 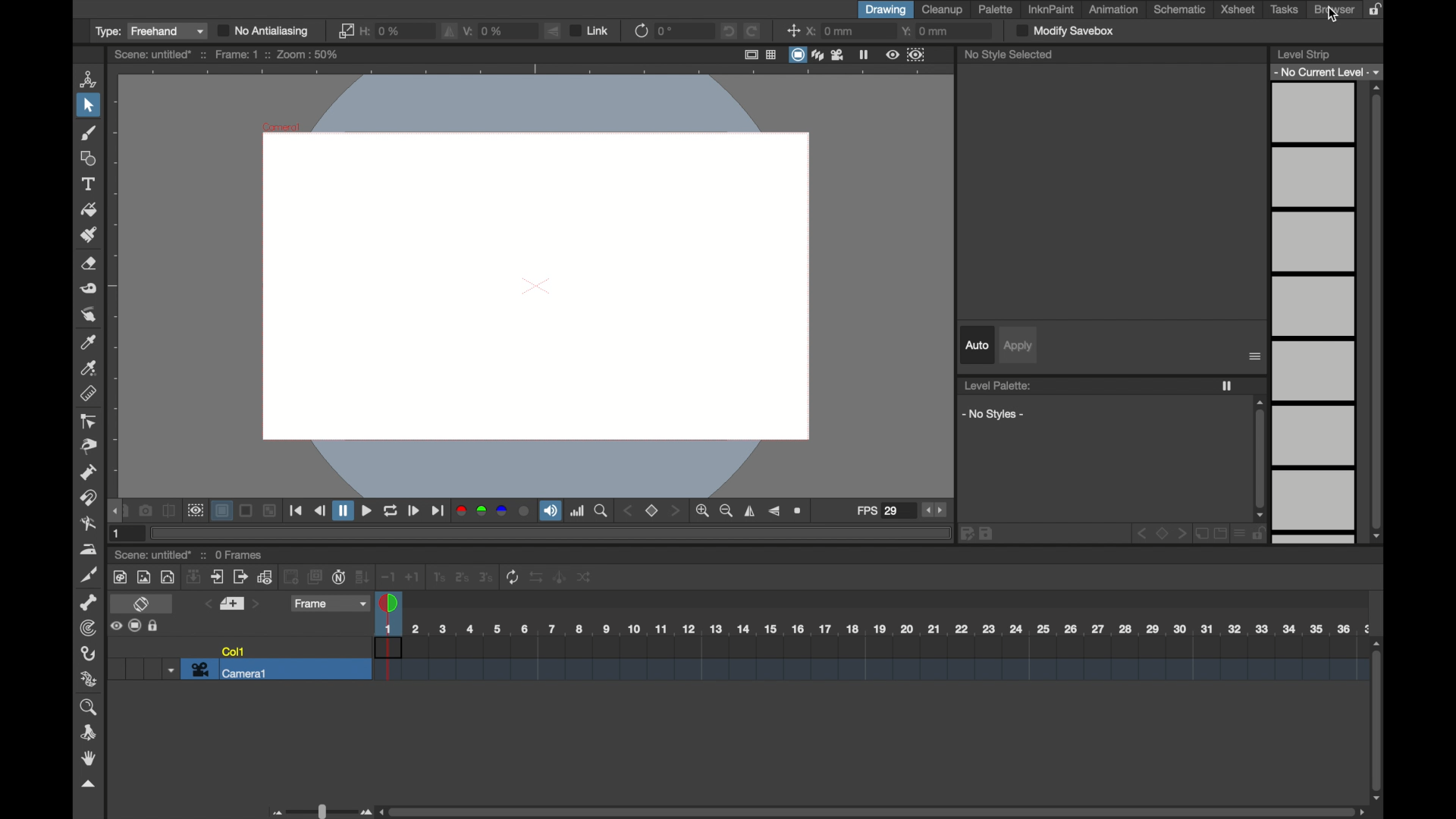 I want to click on rgb picker tool, so click(x=91, y=368).